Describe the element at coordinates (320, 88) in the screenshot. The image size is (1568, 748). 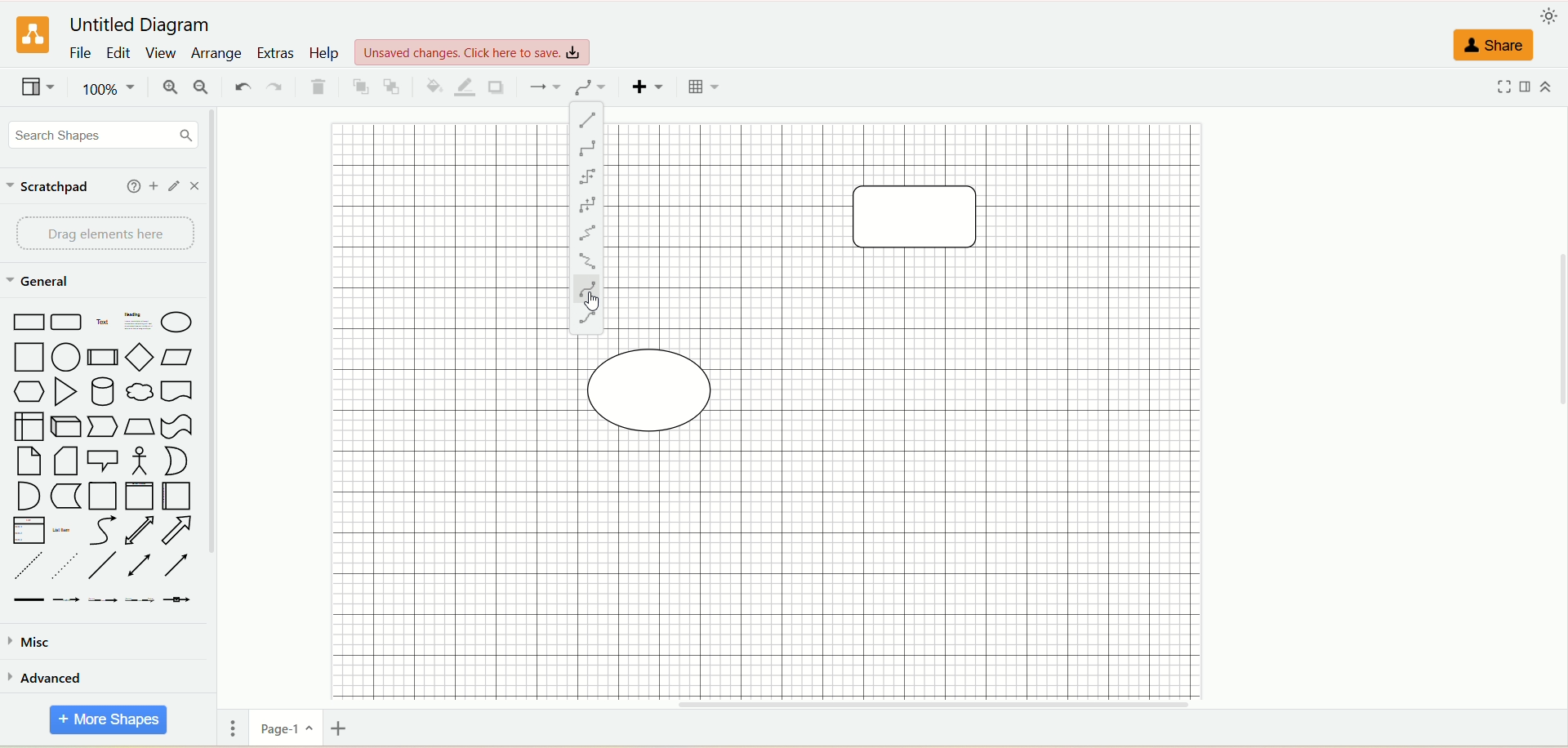
I see `delete` at that location.